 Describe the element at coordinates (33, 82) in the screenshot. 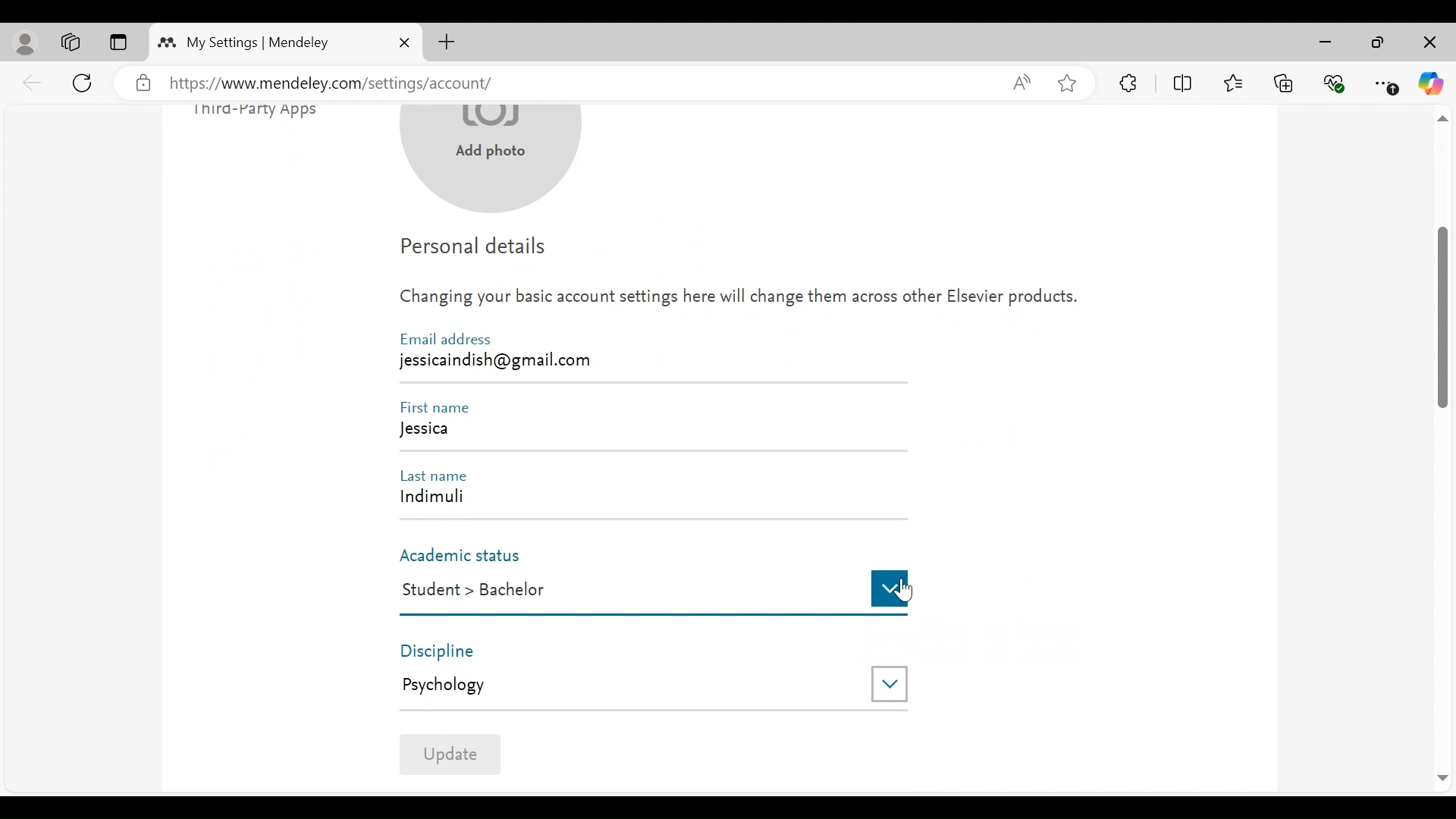

I see ` back` at that location.